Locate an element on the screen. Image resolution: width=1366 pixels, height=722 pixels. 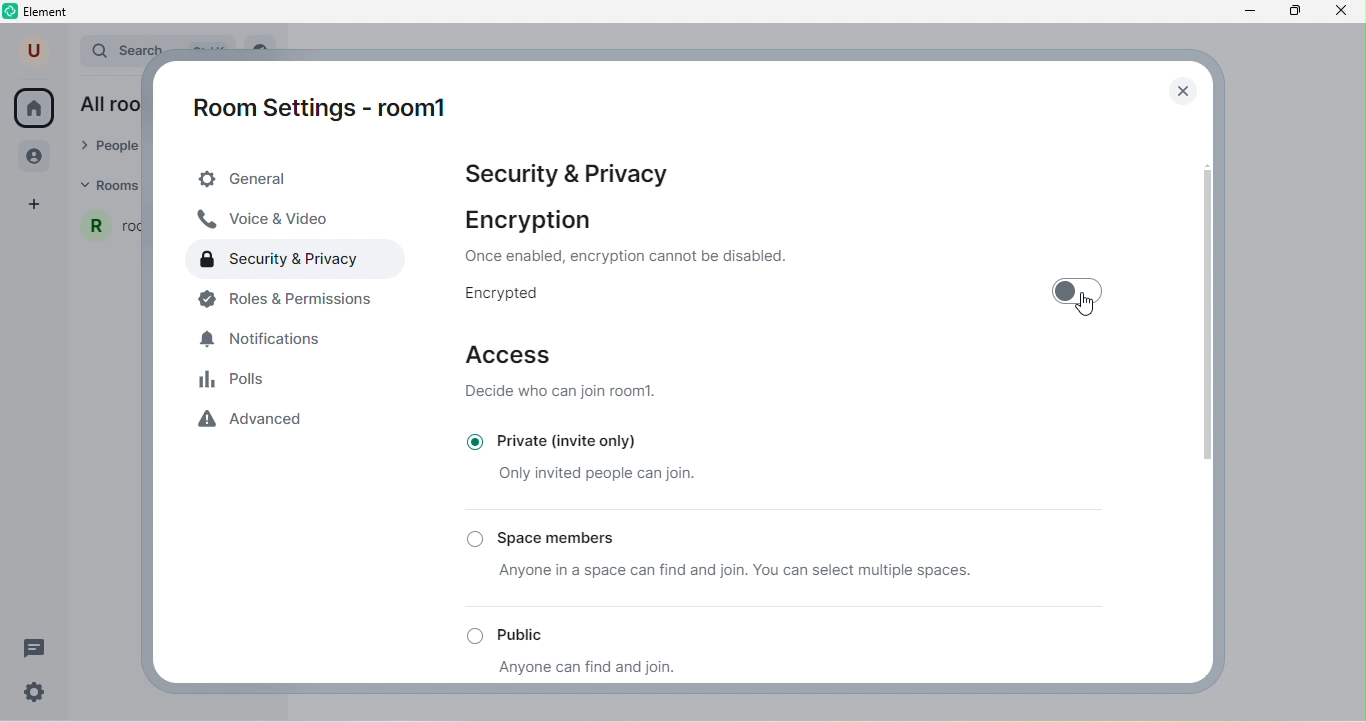
search bar is located at coordinates (130, 51).